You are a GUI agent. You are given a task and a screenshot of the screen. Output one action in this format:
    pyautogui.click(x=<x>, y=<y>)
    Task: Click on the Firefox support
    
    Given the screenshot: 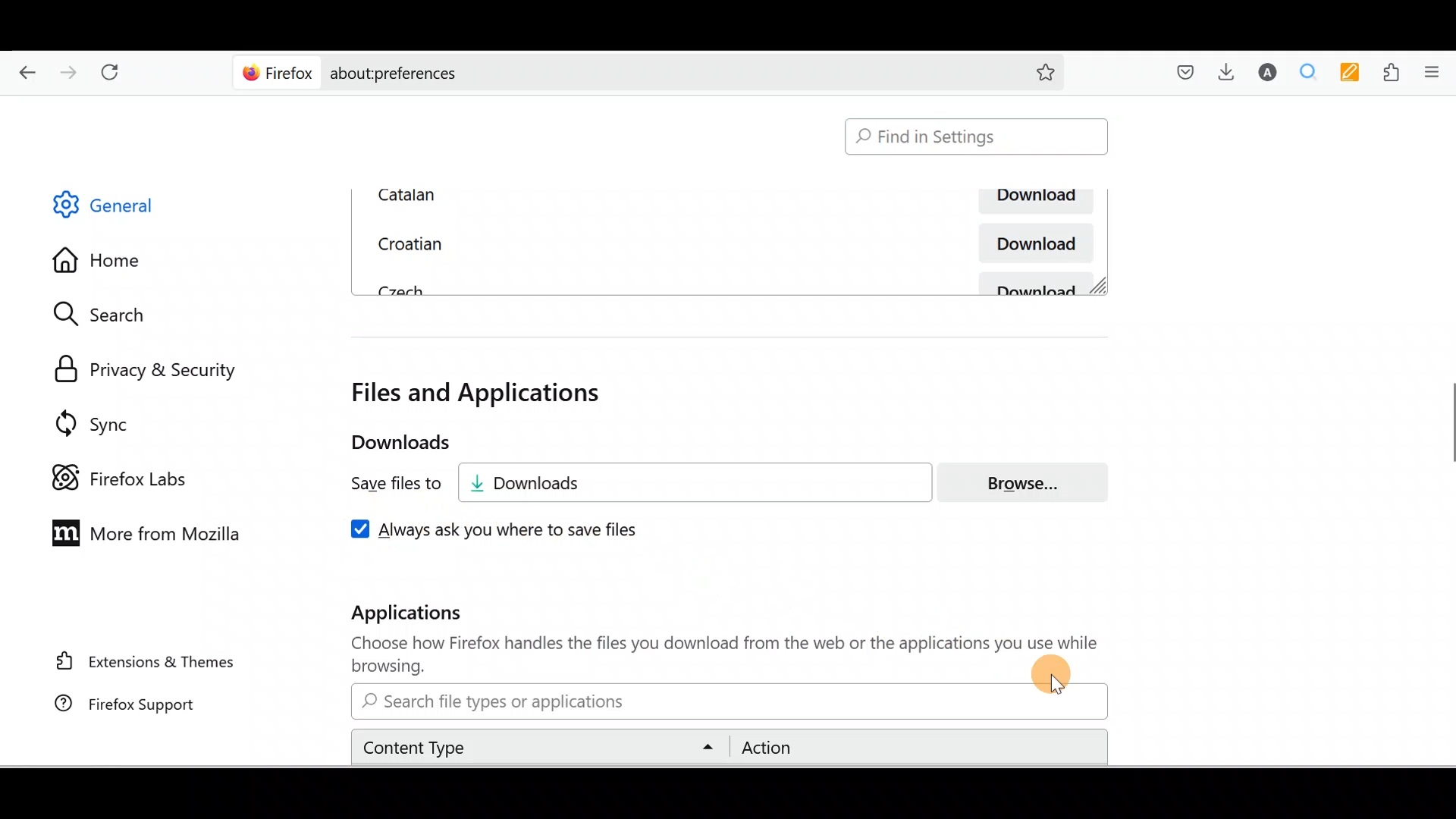 What is the action you would take?
    pyautogui.click(x=121, y=705)
    